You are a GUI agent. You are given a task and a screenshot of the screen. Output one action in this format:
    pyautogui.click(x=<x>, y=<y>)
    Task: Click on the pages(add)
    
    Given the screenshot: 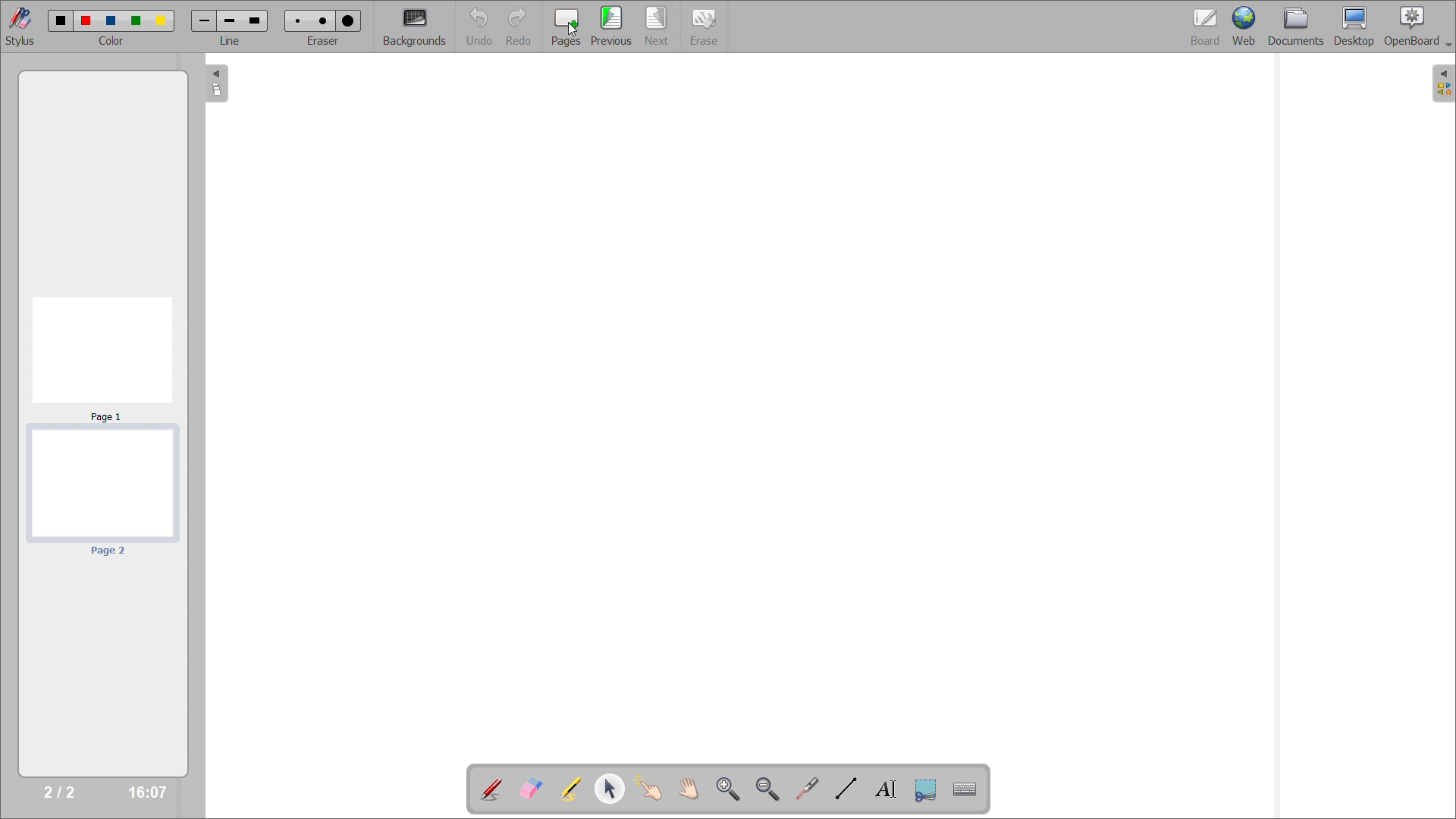 What is the action you would take?
    pyautogui.click(x=566, y=28)
    